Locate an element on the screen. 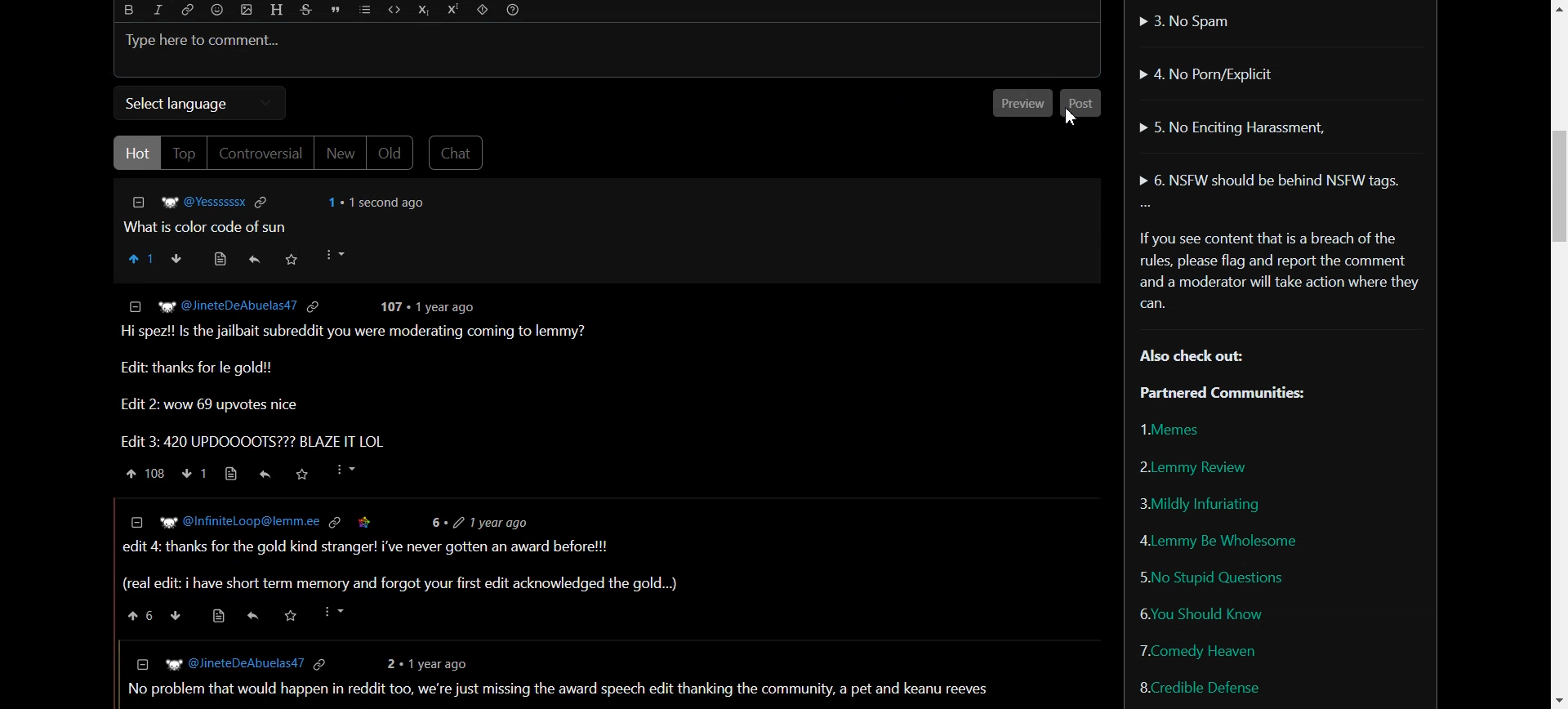 This screenshot has width=1568, height=709. Source is located at coordinates (218, 261).